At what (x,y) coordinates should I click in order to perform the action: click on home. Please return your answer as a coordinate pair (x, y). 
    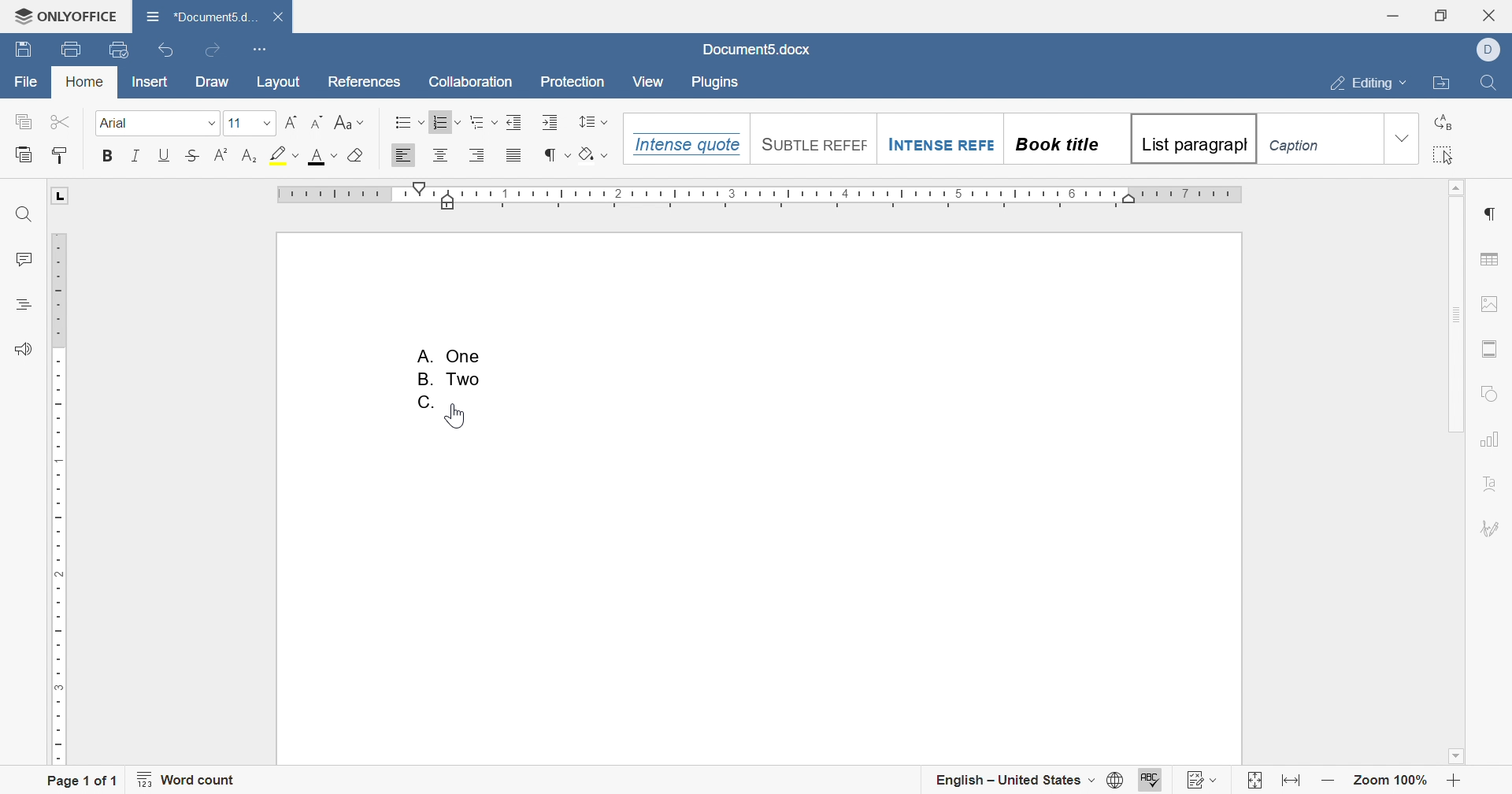
    Looking at the image, I should click on (83, 82).